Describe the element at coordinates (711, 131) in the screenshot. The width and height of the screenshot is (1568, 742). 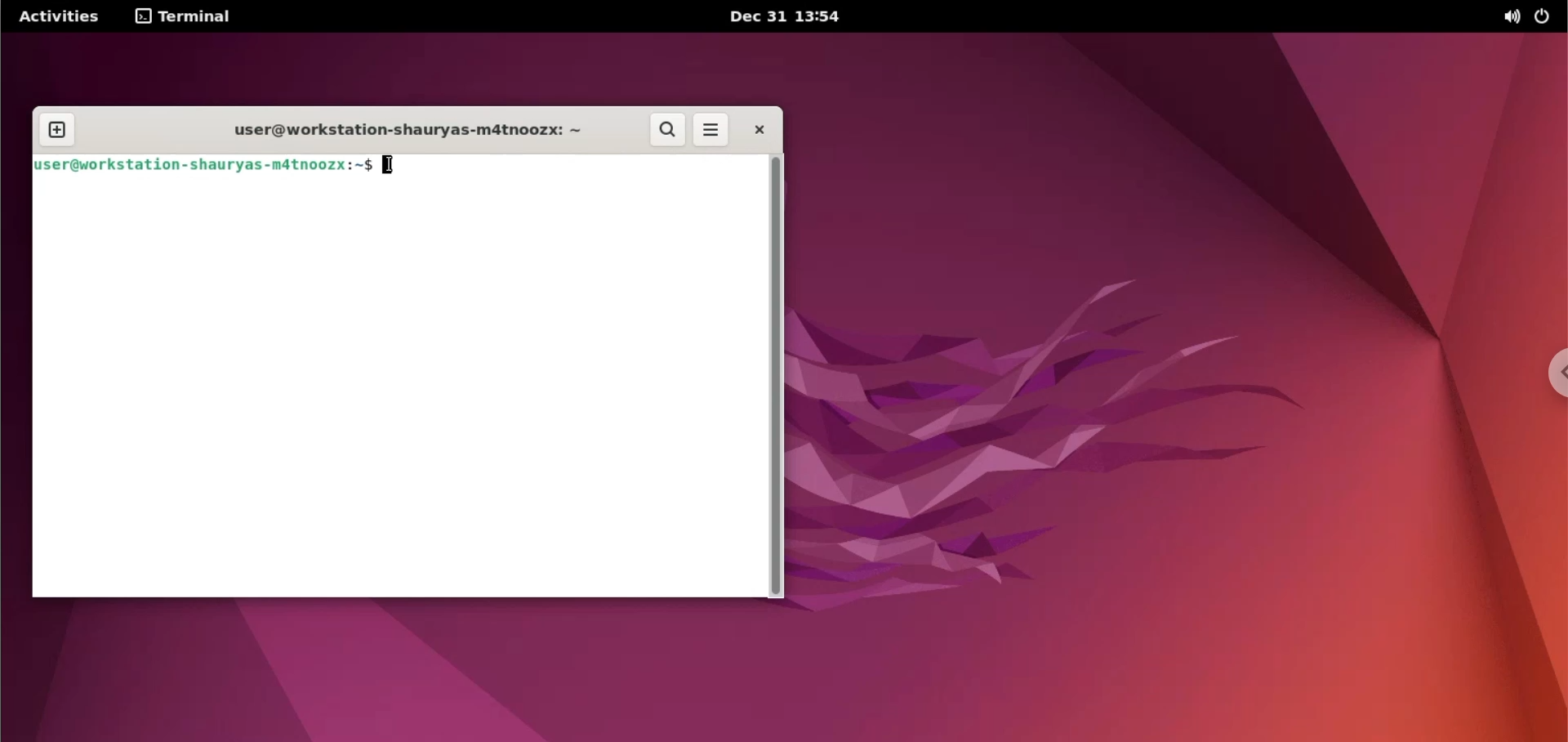
I see `more options` at that location.